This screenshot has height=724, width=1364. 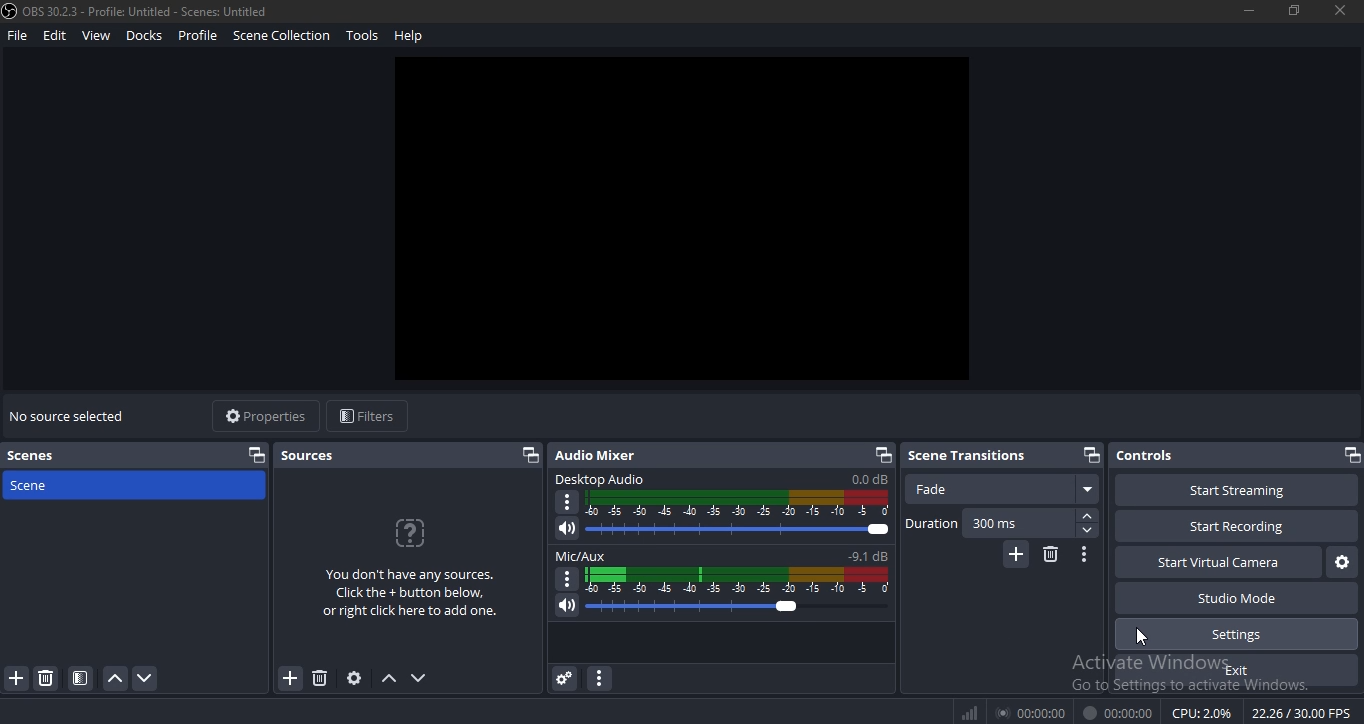 What do you see at coordinates (280, 35) in the screenshot?
I see `scene collection` at bounding box center [280, 35].